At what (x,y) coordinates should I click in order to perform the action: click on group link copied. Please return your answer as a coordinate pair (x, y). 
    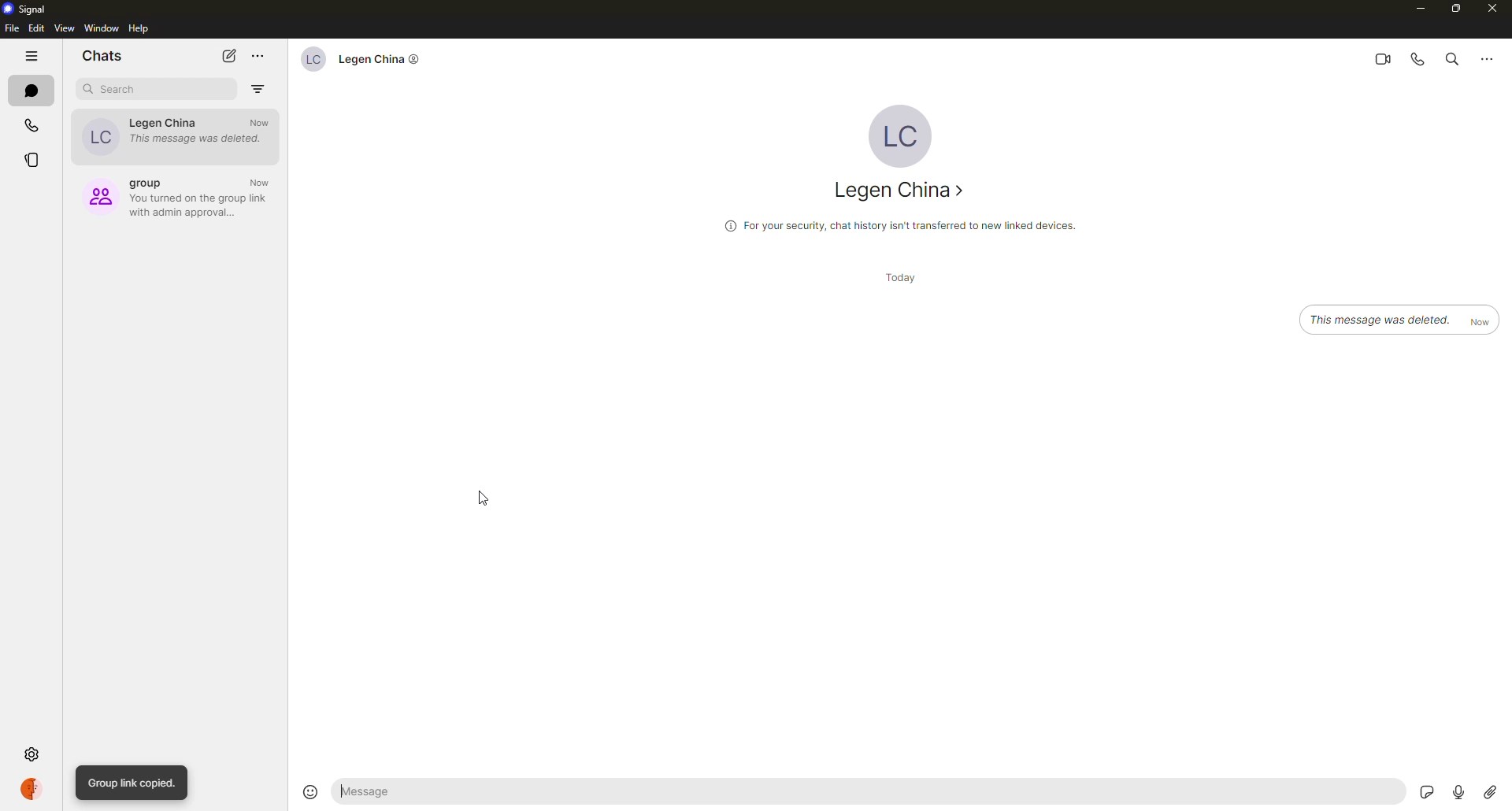
    Looking at the image, I should click on (133, 783).